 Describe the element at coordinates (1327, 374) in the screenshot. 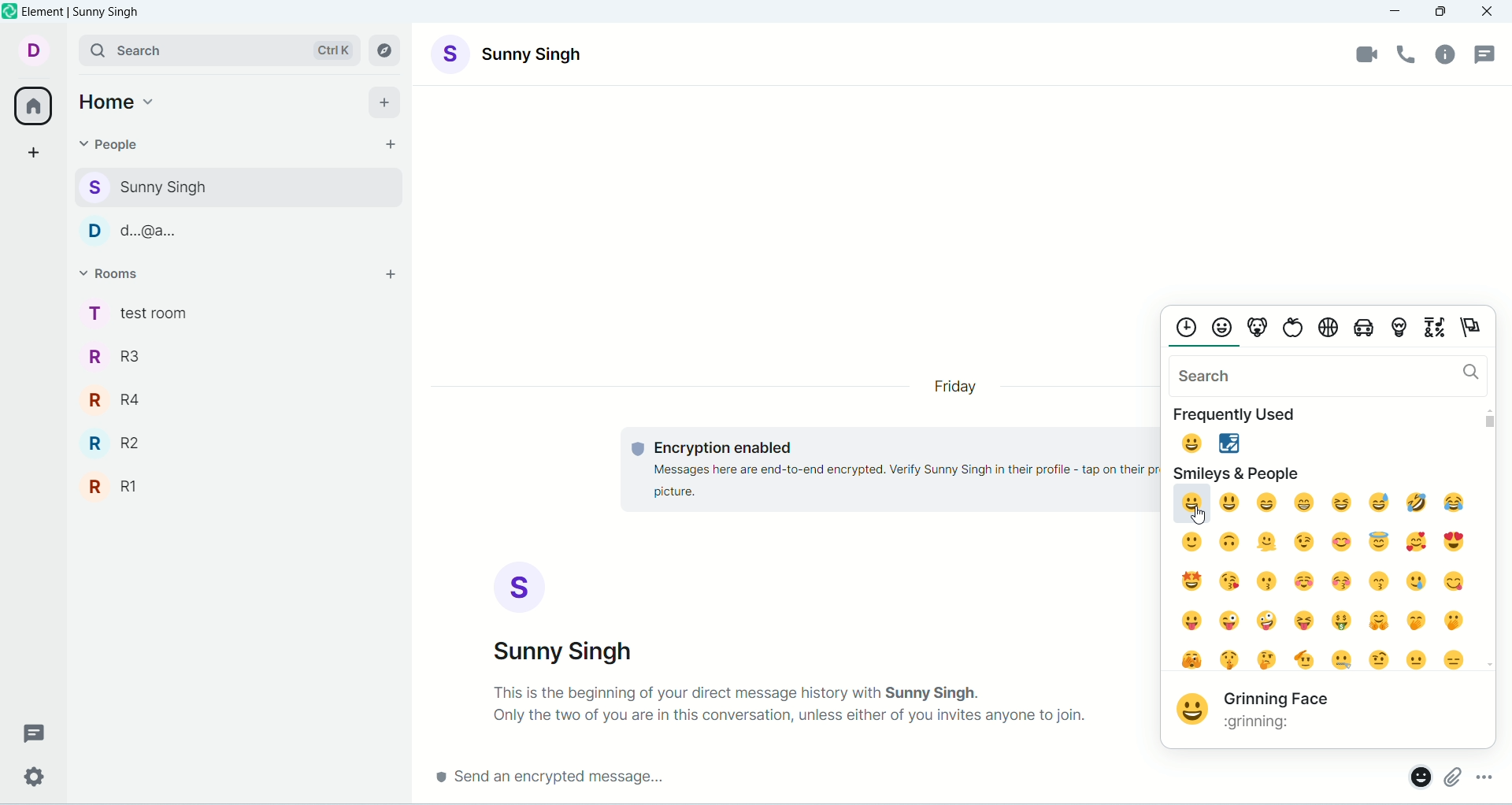

I see `search emoji` at that location.